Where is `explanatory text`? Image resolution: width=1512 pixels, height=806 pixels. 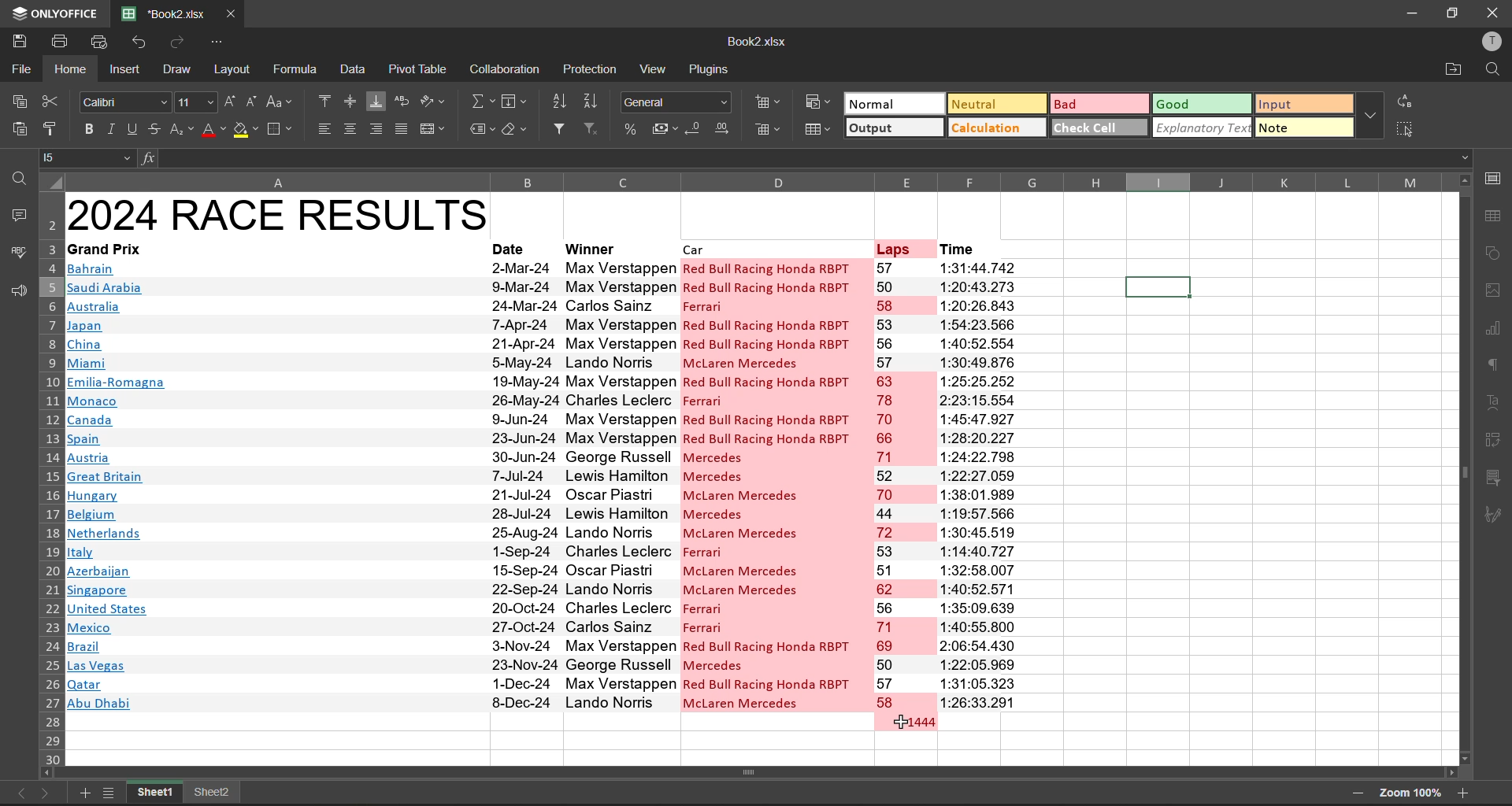 explanatory text is located at coordinates (1202, 128).